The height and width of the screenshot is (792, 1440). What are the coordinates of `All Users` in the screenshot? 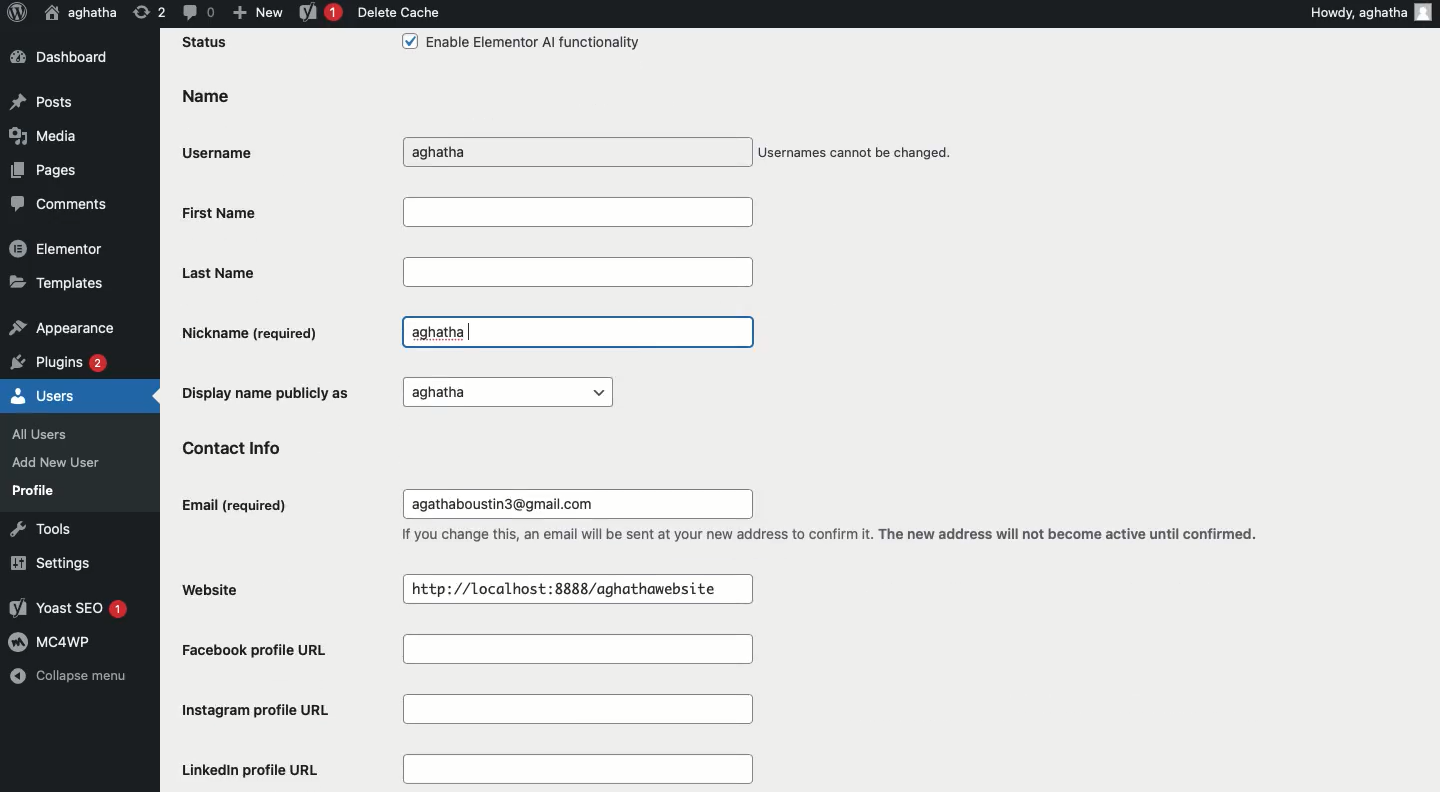 It's located at (50, 432).